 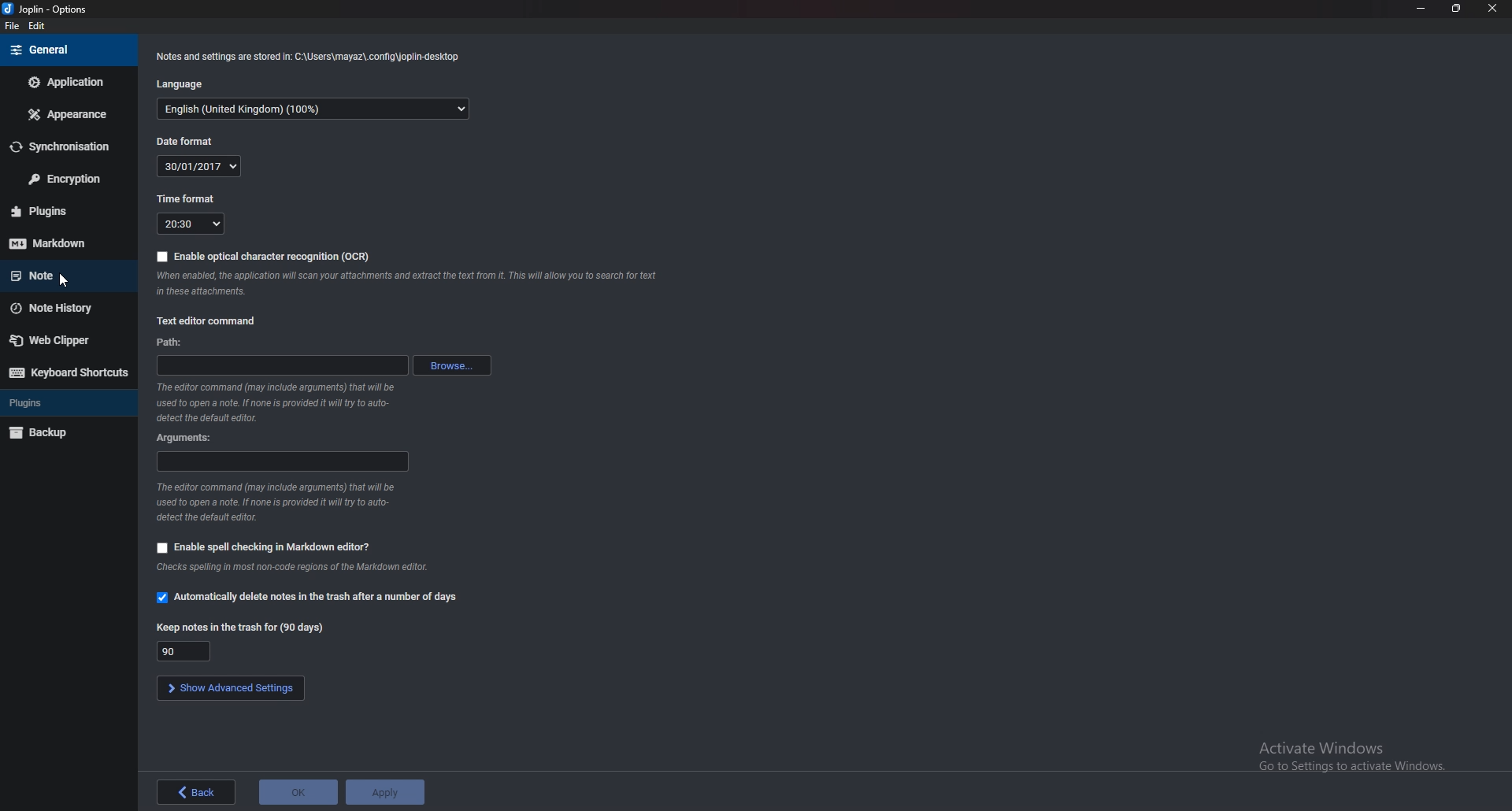 I want to click on Enable O C R, so click(x=268, y=257).